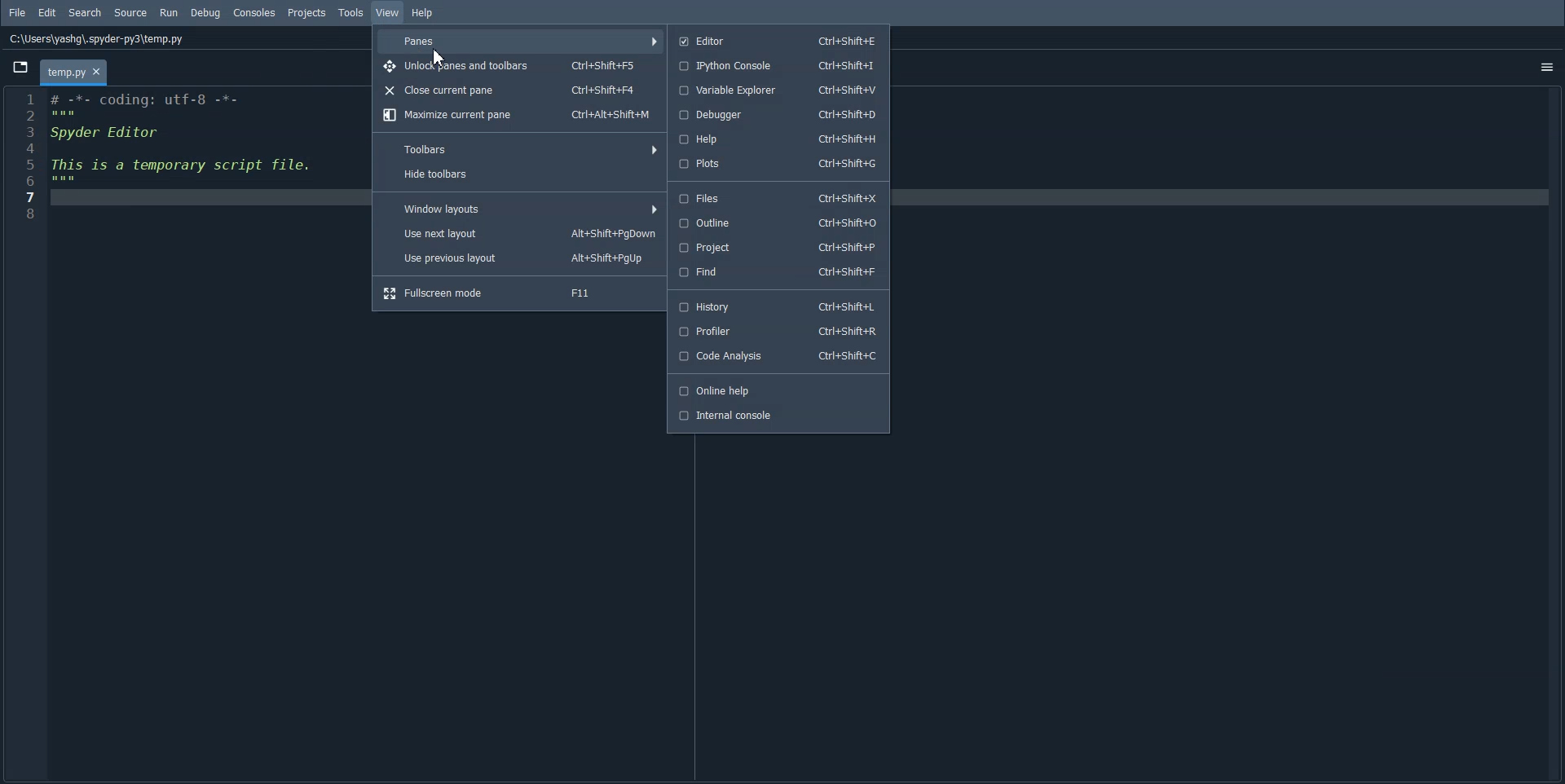 The image size is (1565, 784). What do you see at coordinates (778, 416) in the screenshot?
I see `Internal Console` at bounding box center [778, 416].